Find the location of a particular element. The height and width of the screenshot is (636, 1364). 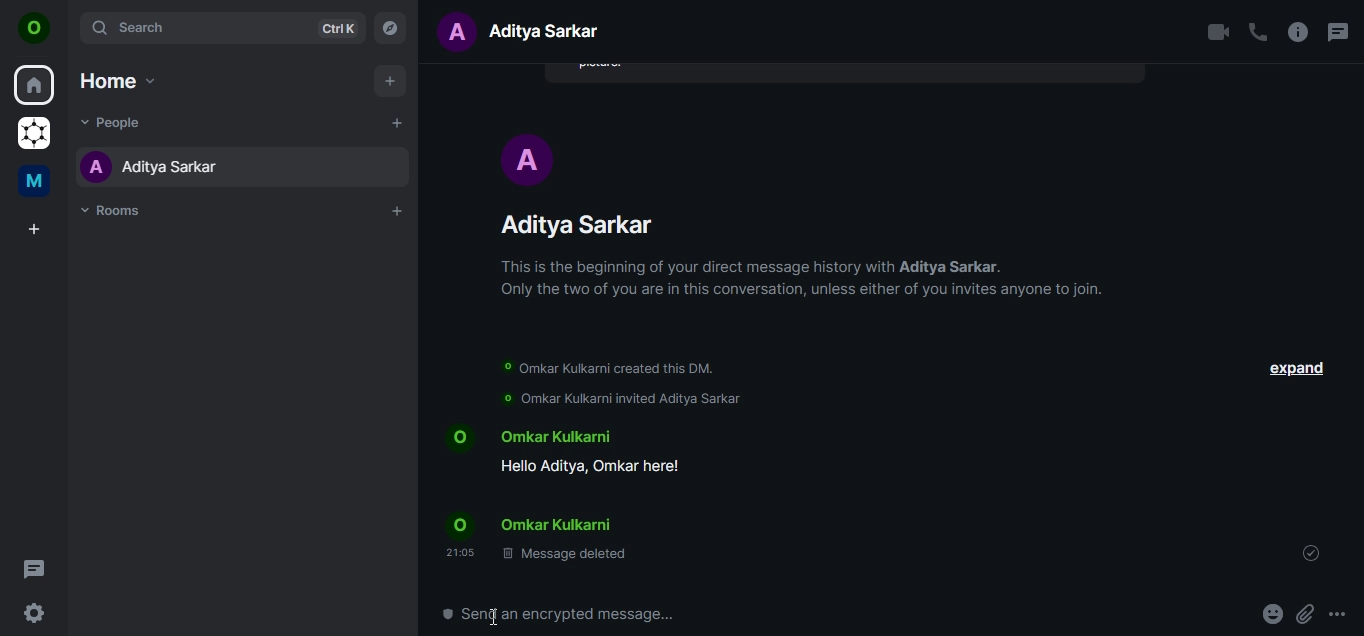

profile/name is located at coordinates (790, 215).